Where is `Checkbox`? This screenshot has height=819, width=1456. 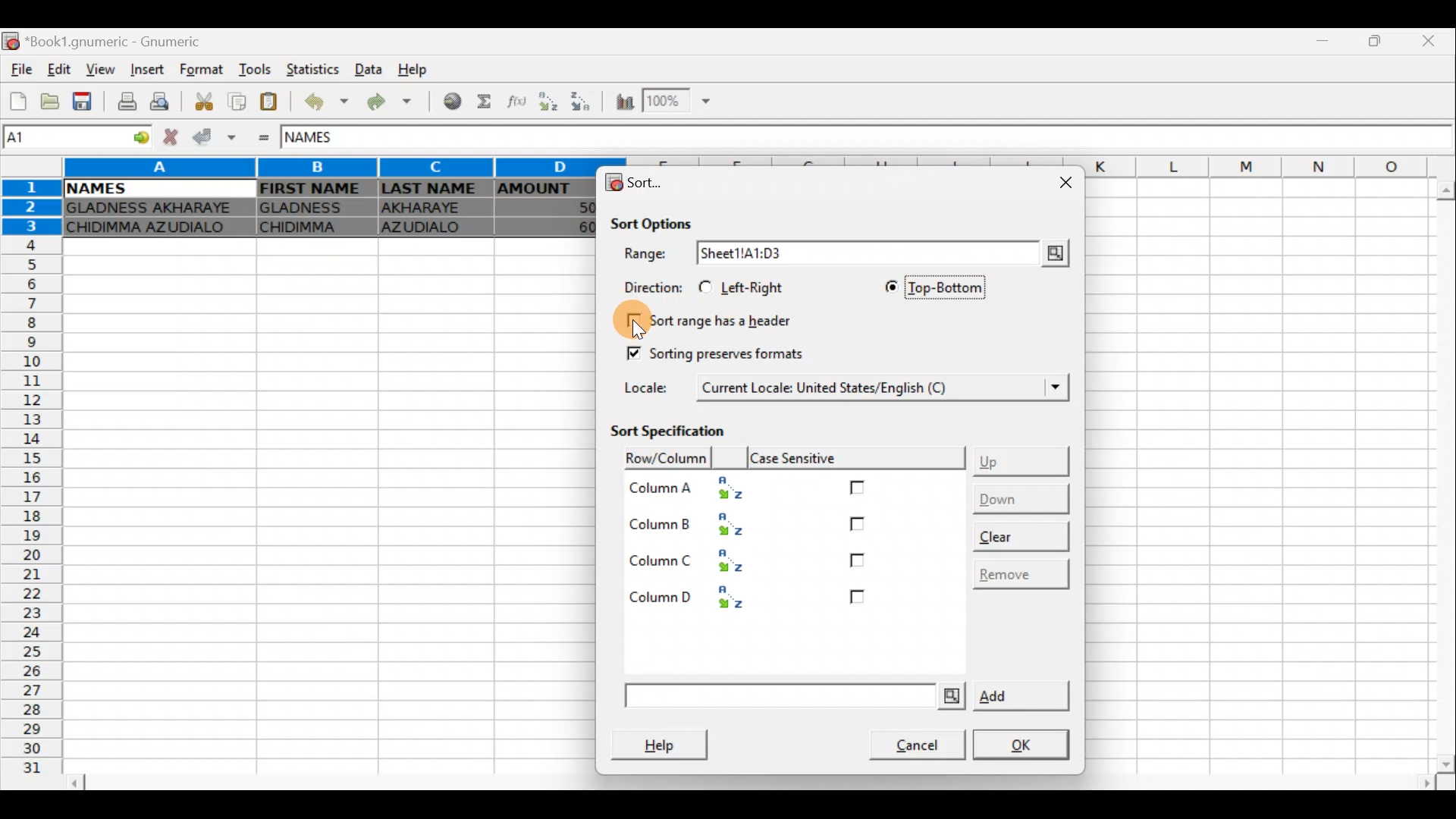
Checkbox is located at coordinates (857, 598).